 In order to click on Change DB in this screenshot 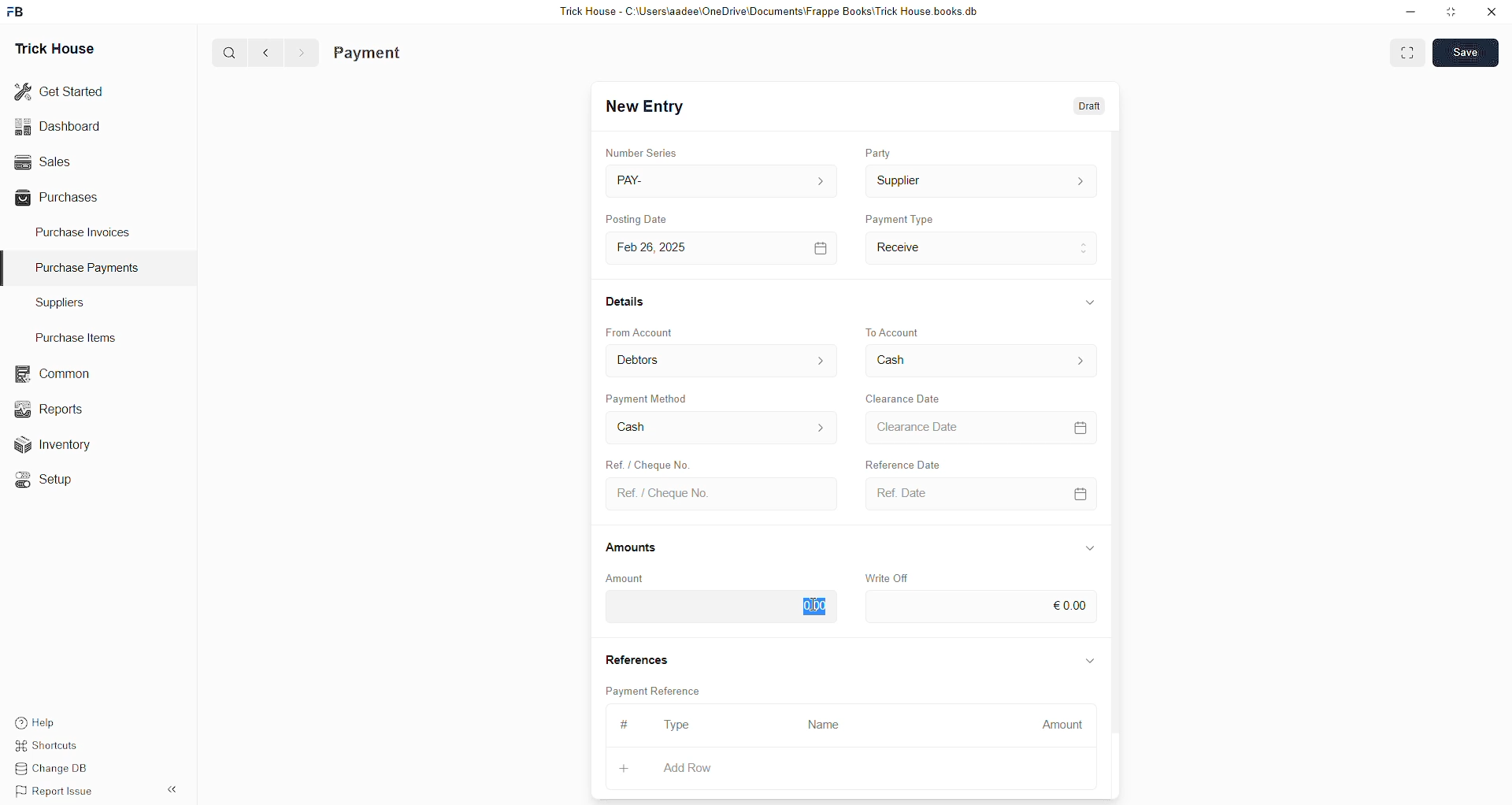, I will do `click(51, 767)`.